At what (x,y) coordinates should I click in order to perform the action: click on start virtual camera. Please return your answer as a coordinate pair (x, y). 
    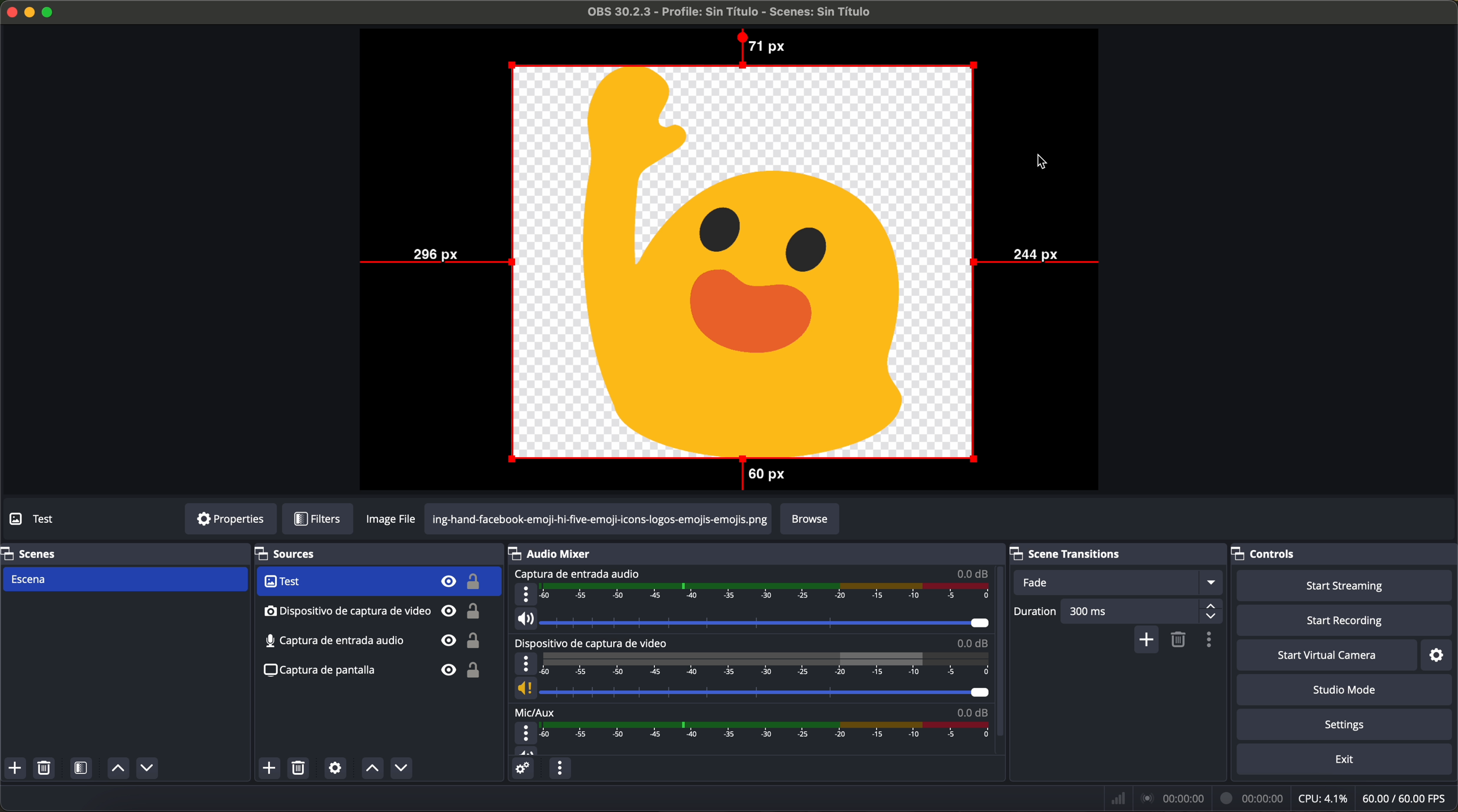
    Looking at the image, I should click on (1327, 655).